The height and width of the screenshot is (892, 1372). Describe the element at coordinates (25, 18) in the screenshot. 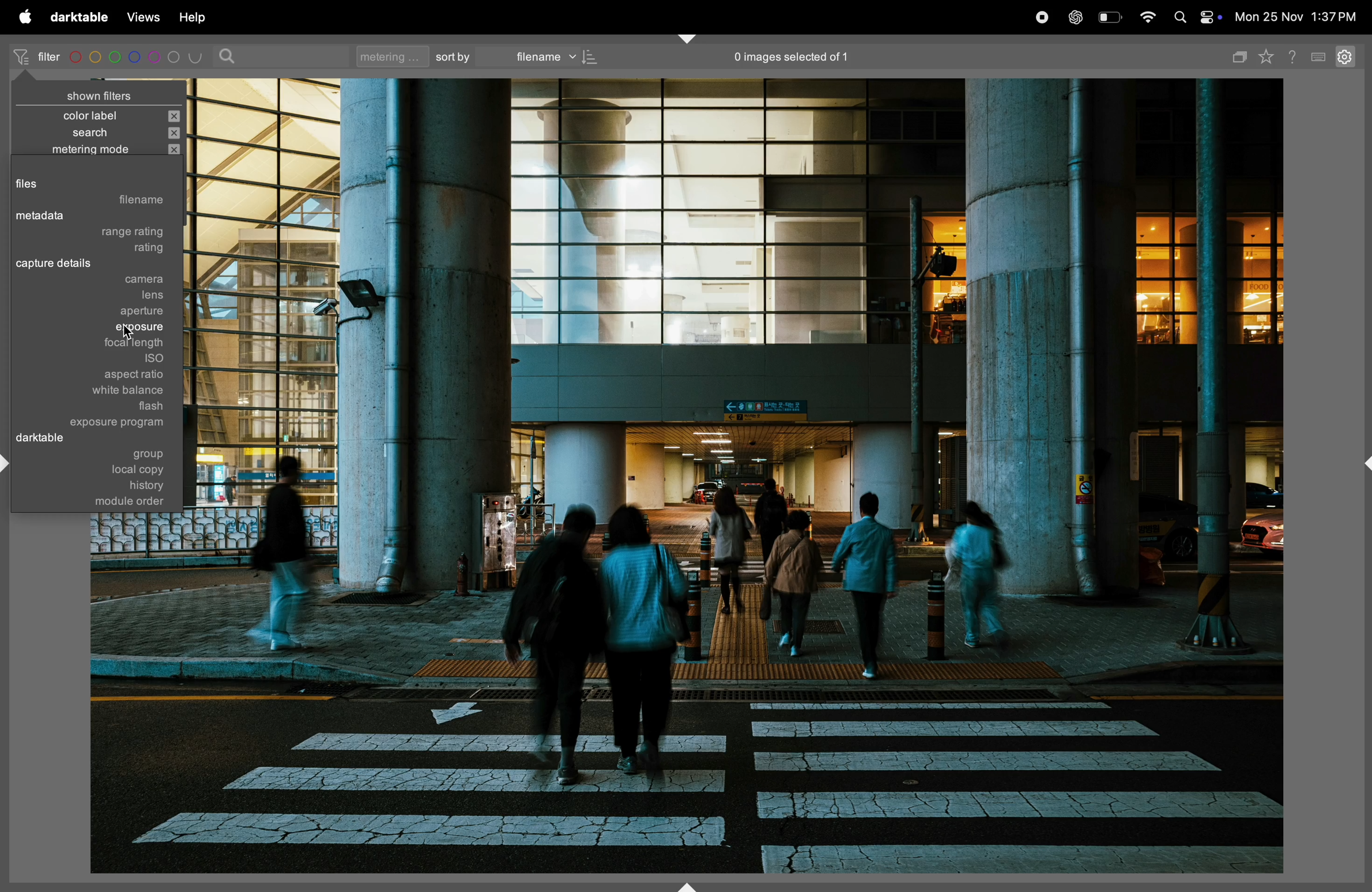

I see `apple menu` at that location.